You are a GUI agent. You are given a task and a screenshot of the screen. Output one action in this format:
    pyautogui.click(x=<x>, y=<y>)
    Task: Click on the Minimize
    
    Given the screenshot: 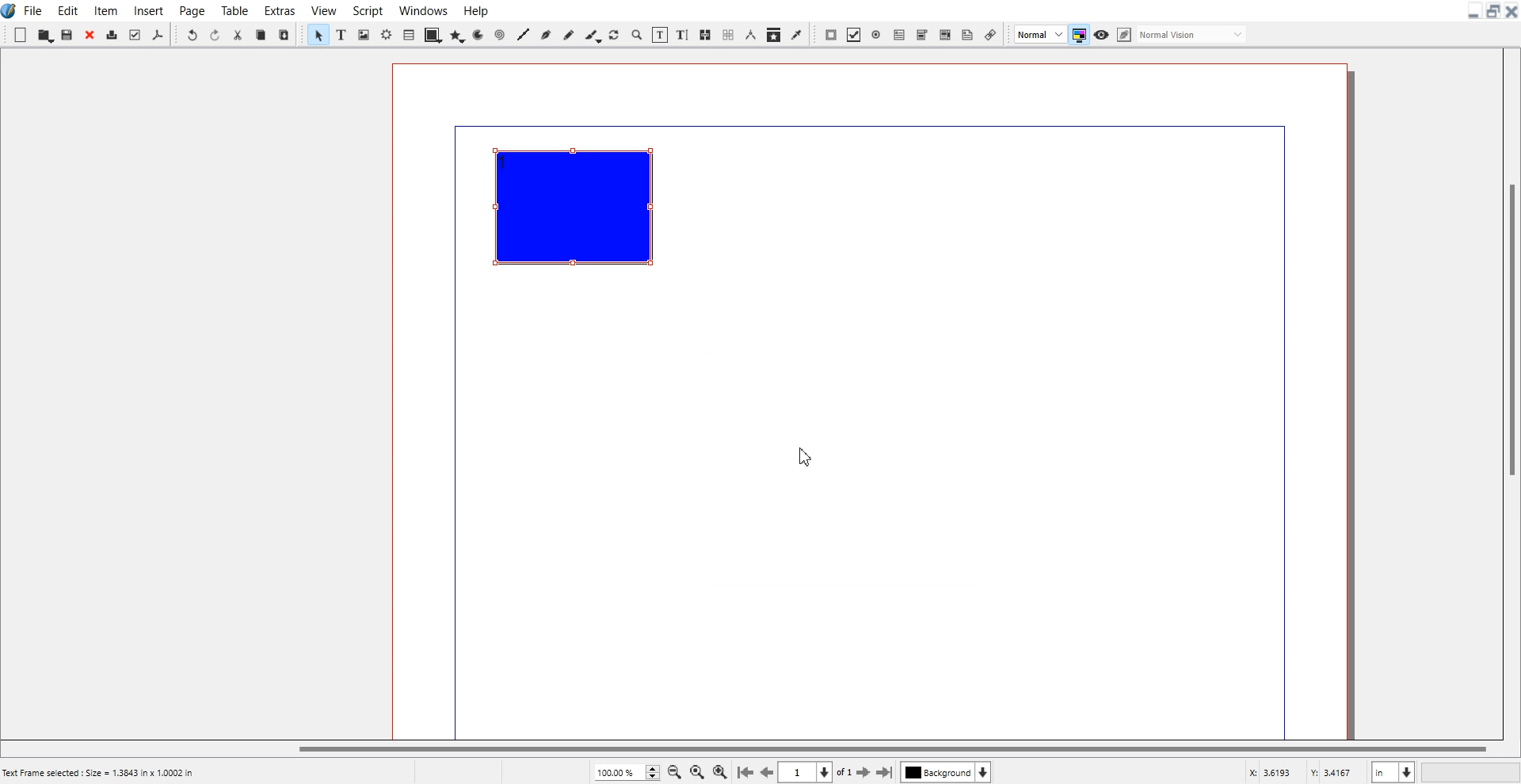 What is the action you would take?
    pyautogui.click(x=1474, y=11)
    